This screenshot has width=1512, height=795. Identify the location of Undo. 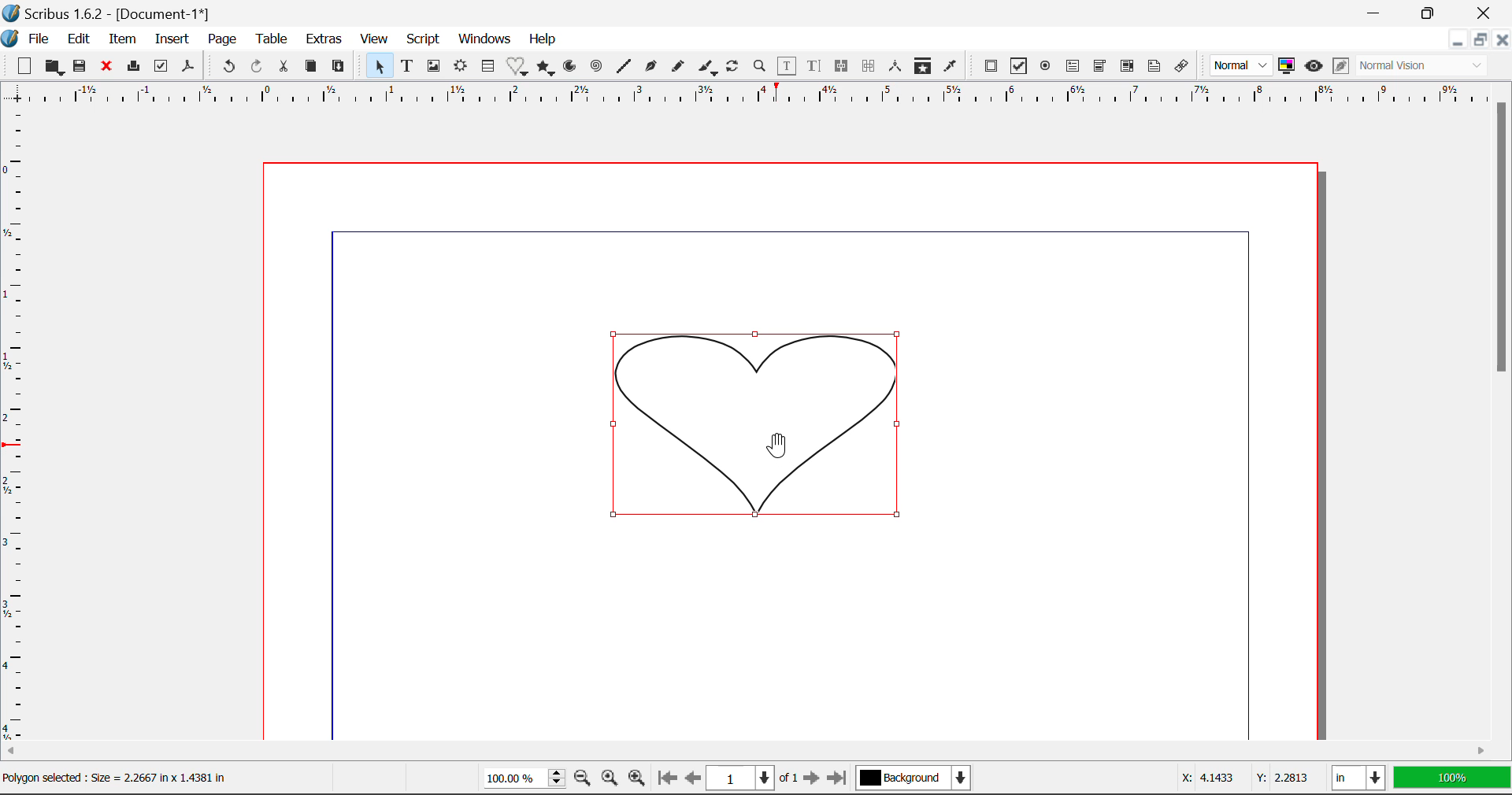
(226, 67).